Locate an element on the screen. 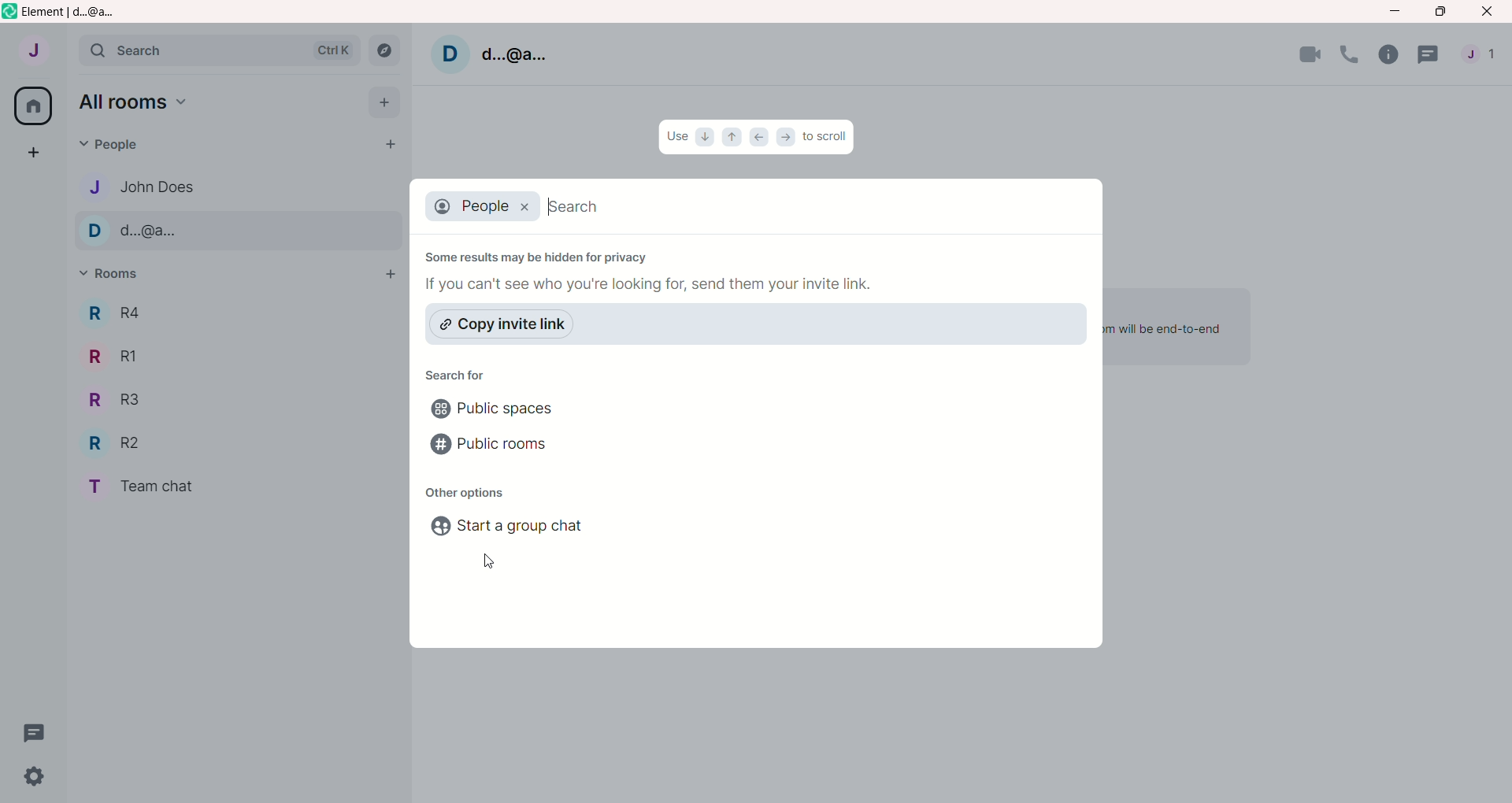 The width and height of the screenshot is (1512, 803). all rooms is located at coordinates (30, 105).